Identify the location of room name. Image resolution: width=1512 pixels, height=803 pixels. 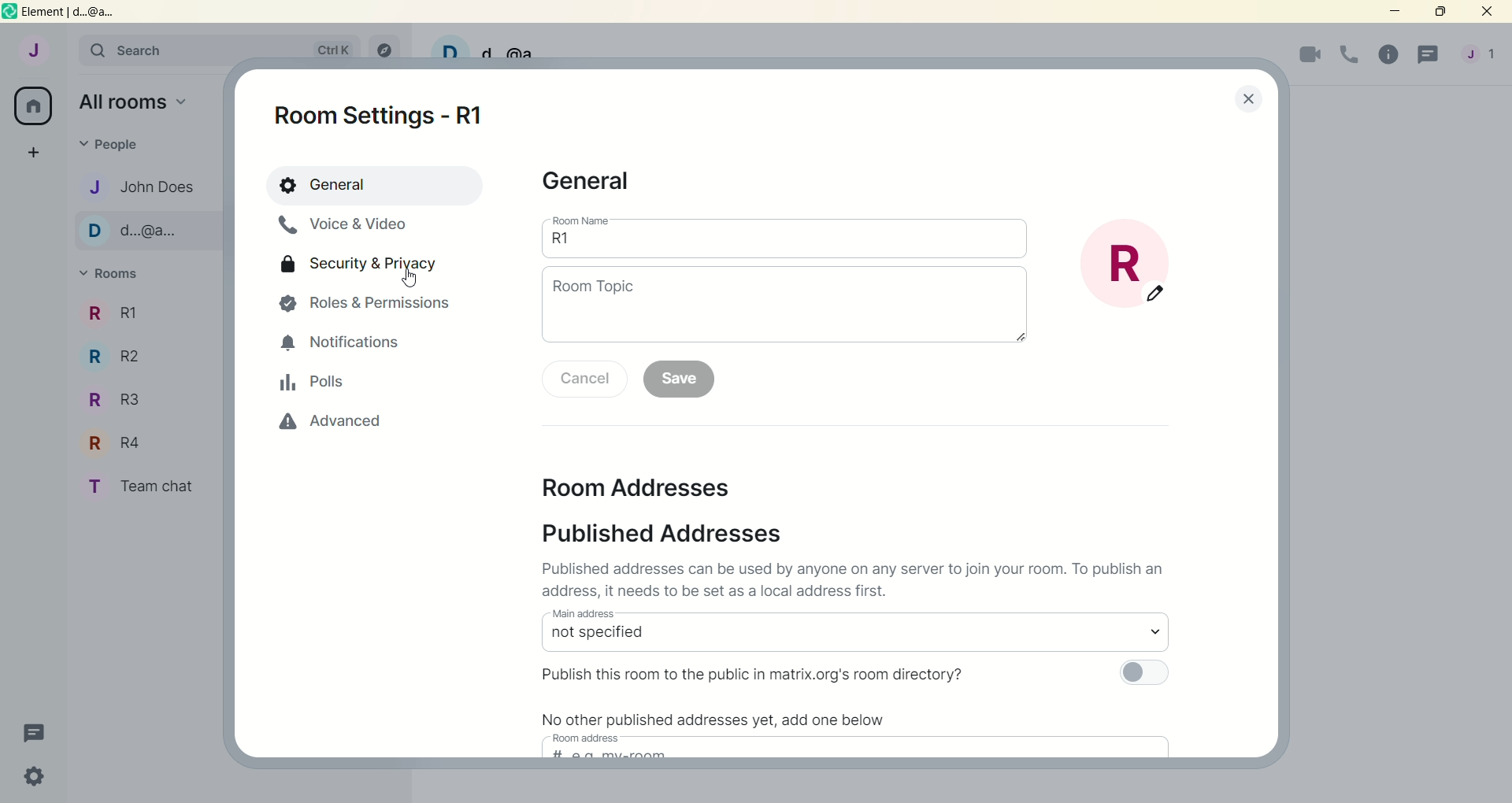
(788, 239).